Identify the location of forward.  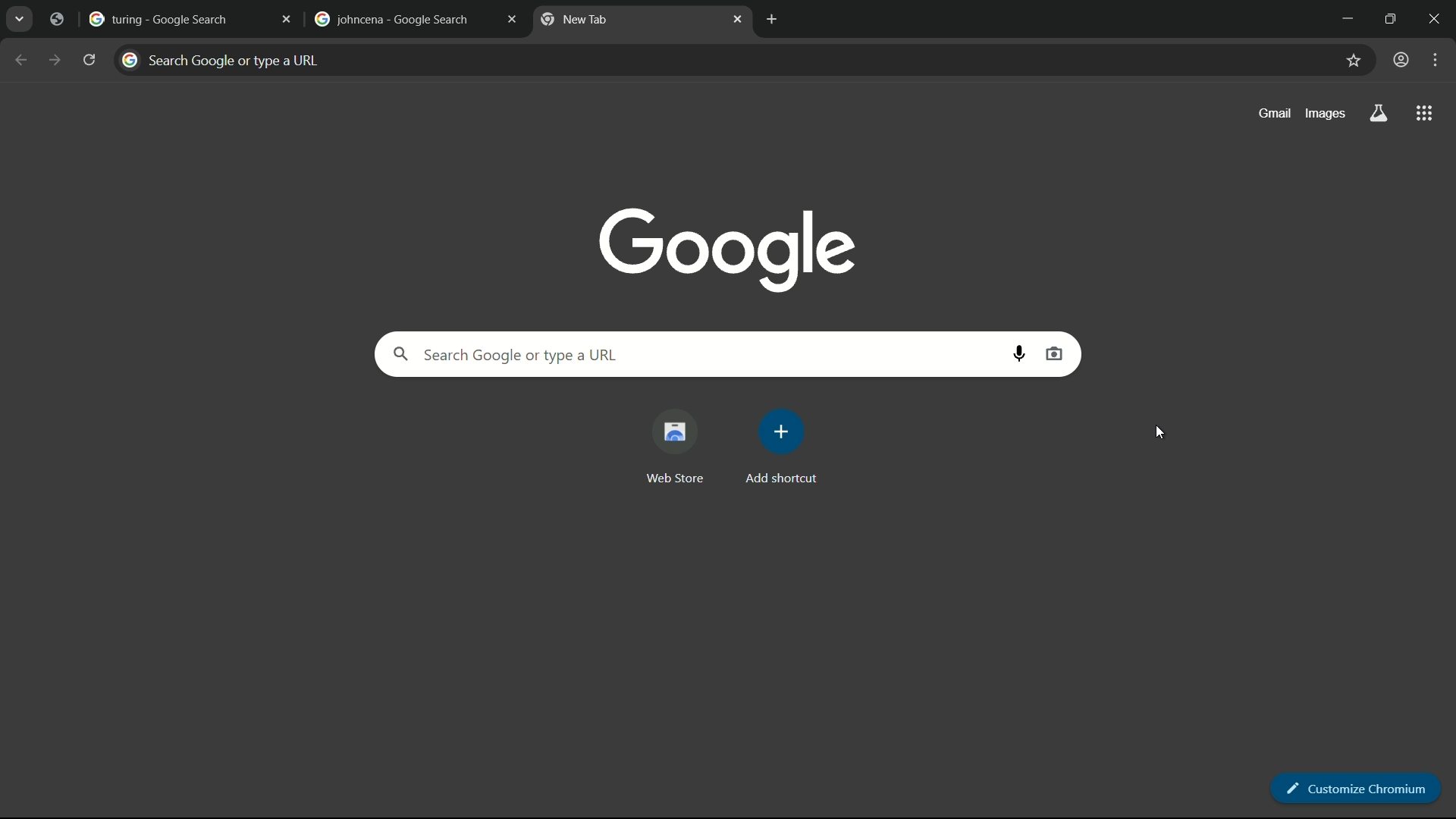
(53, 60).